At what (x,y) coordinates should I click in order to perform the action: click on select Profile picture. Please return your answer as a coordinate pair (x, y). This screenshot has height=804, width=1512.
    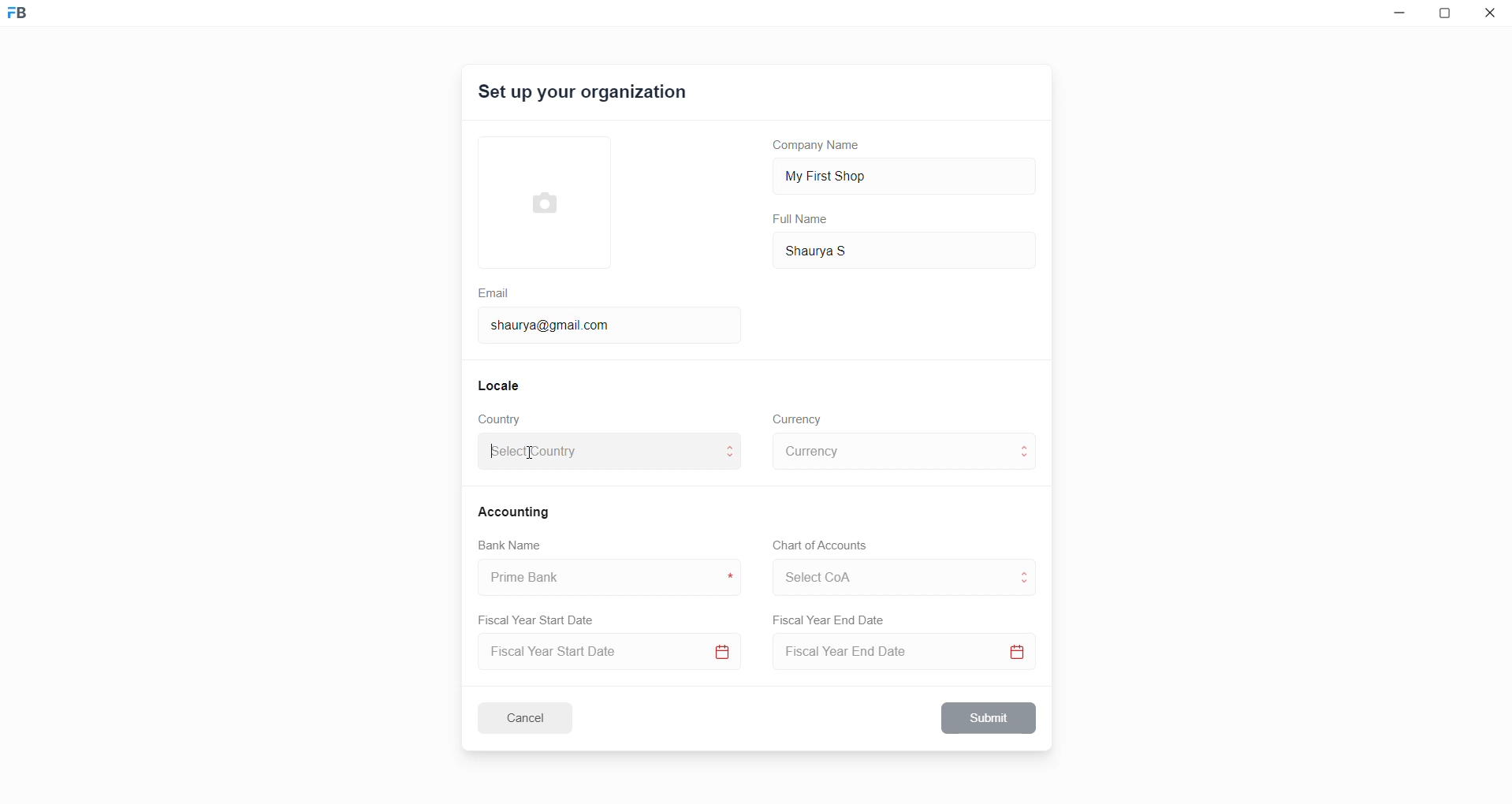
    Looking at the image, I should click on (537, 200).